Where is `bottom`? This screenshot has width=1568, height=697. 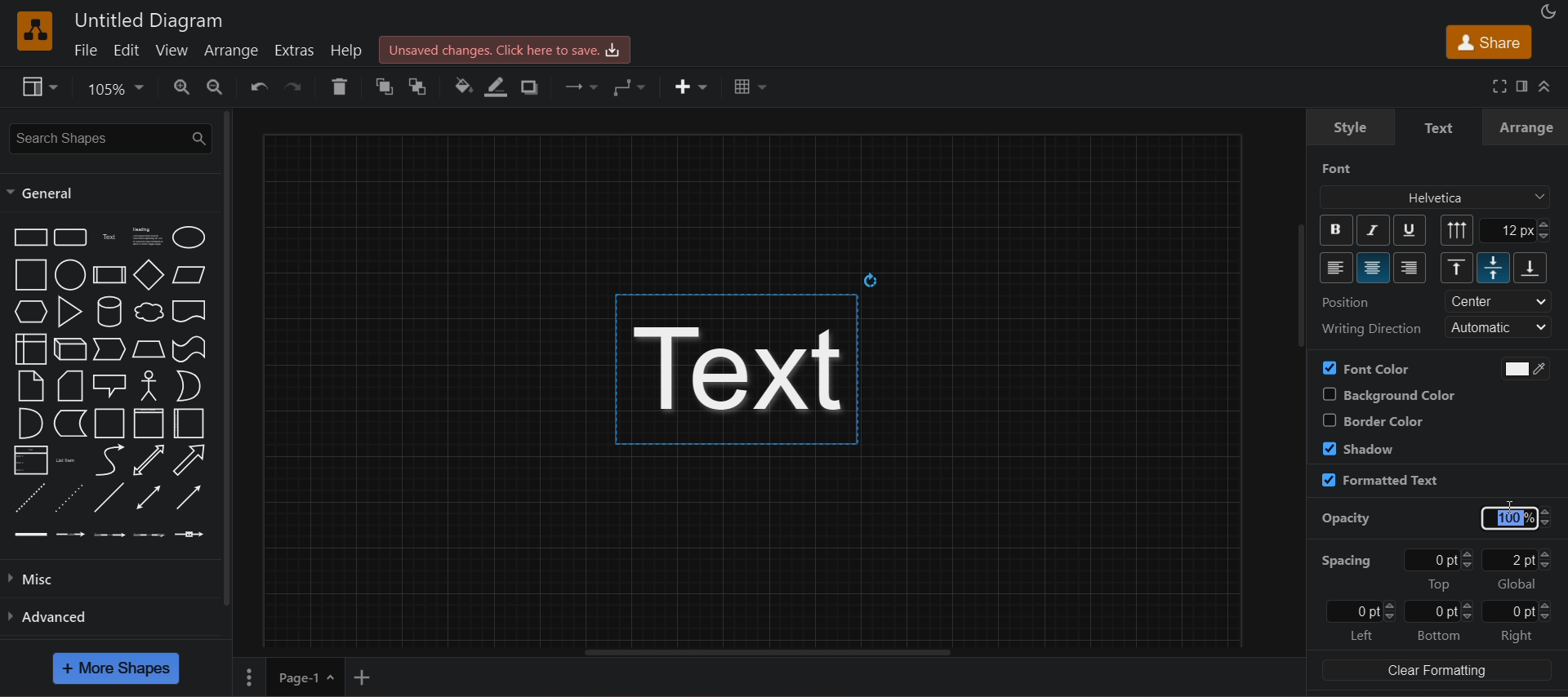 bottom is located at coordinates (1438, 635).